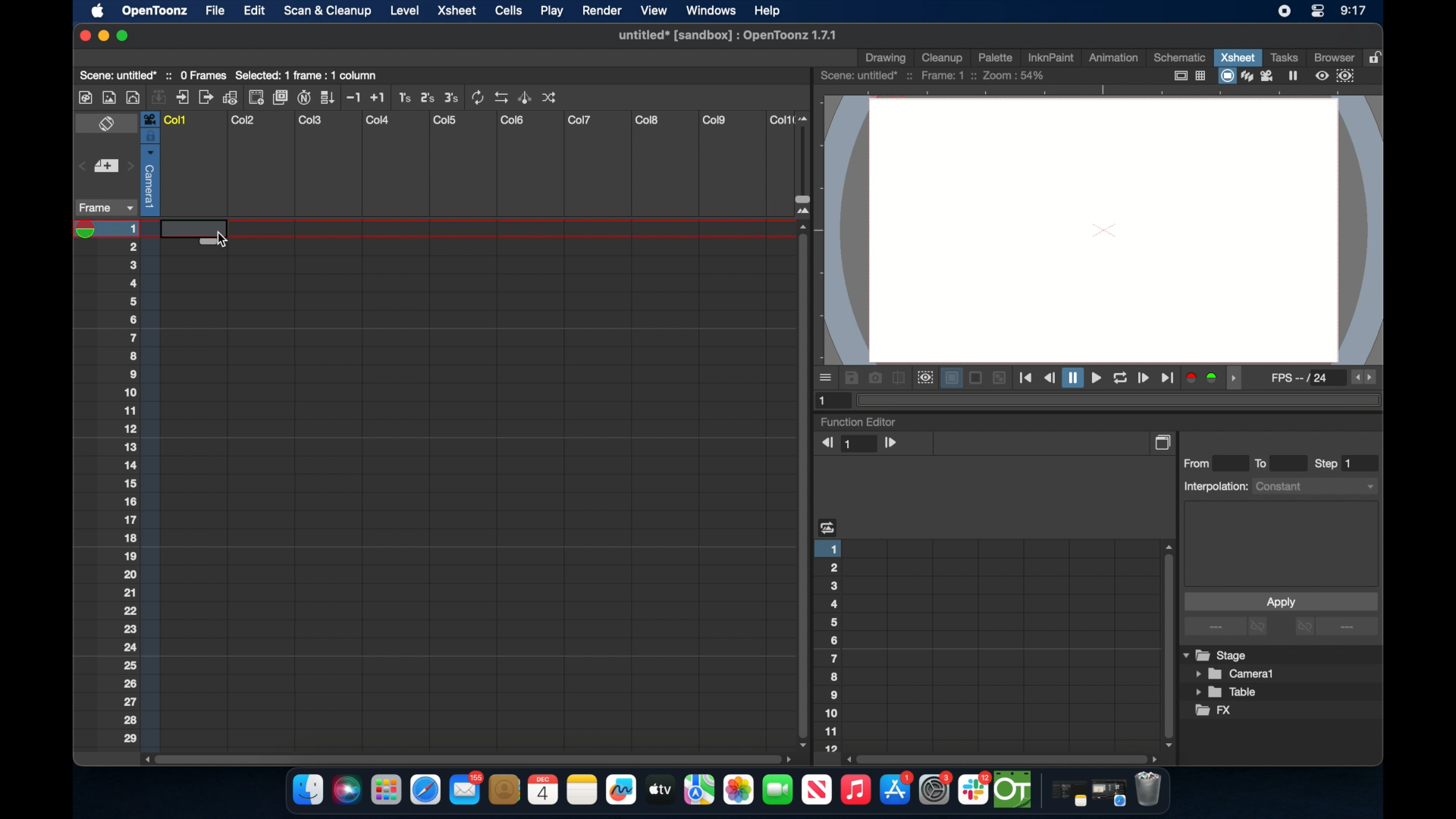  What do you see at coordinates (319, 96) in the screenshot?
I see `more tools` at bounding box center [319, 96].